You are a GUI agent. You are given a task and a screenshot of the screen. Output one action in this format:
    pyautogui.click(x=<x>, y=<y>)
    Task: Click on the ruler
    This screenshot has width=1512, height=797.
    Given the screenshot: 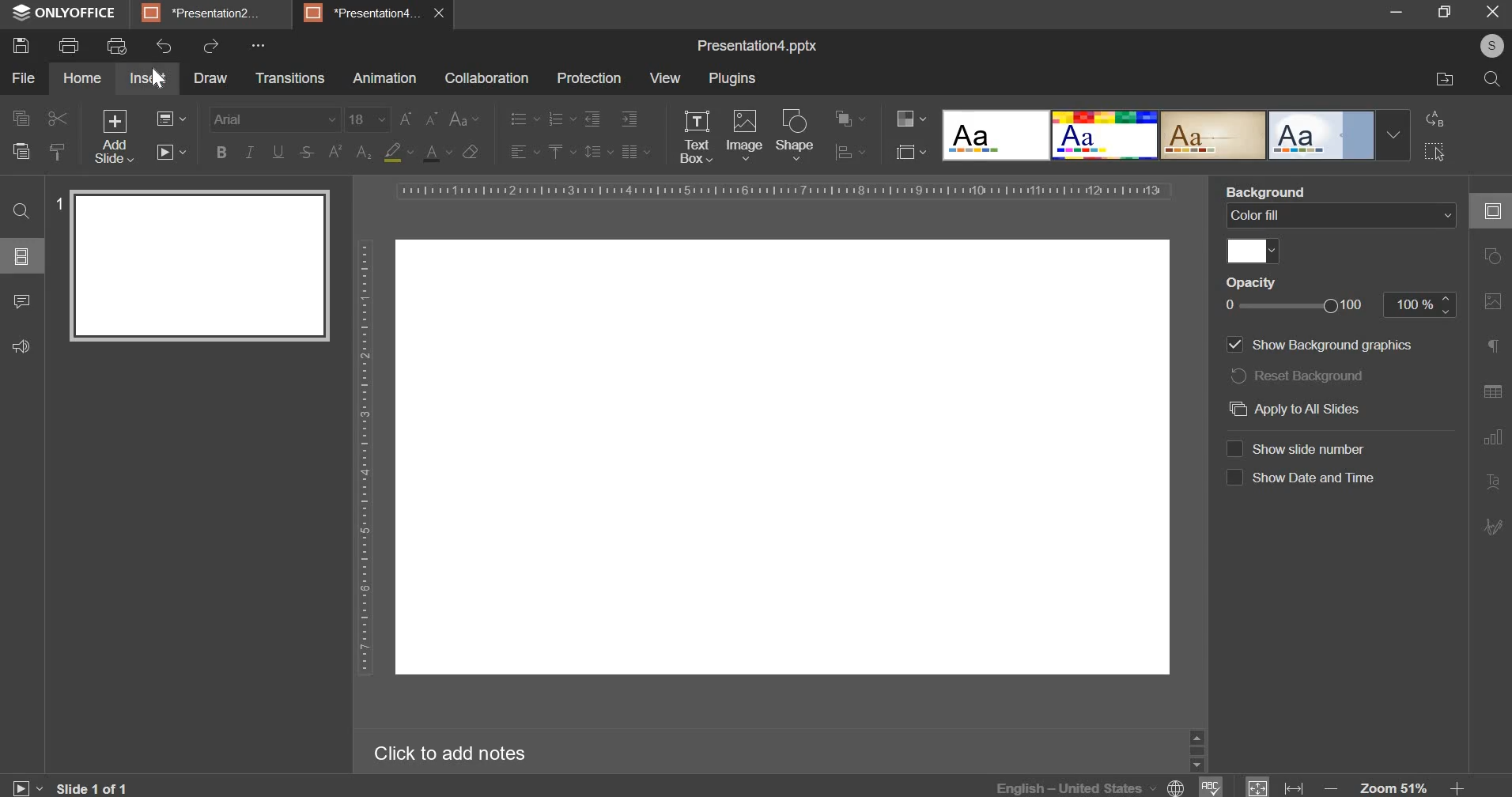 What is the action you would take?
    pyautogui.click(x=365, y=460)
    